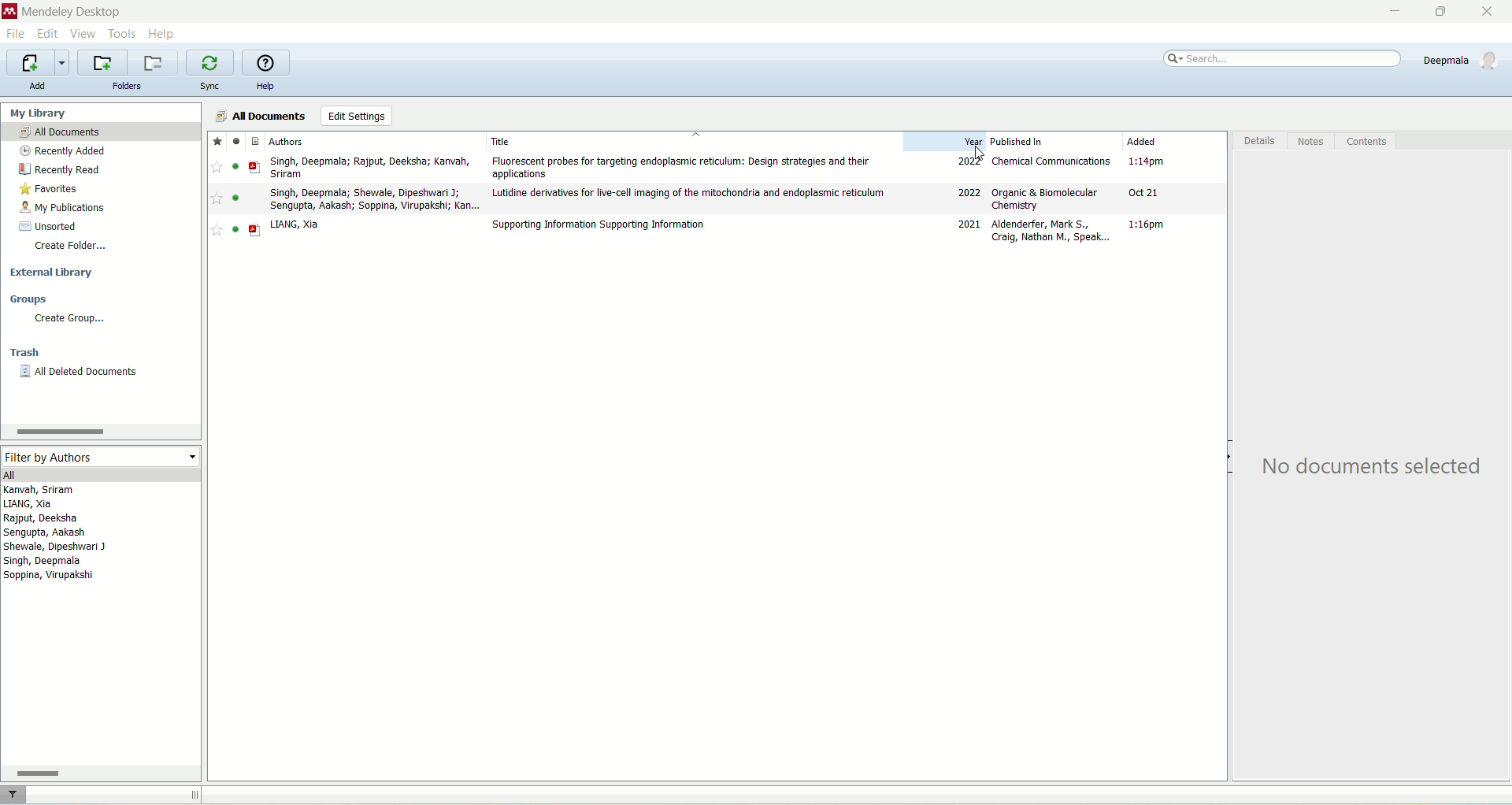  I want to click on add, so click(35, 85).